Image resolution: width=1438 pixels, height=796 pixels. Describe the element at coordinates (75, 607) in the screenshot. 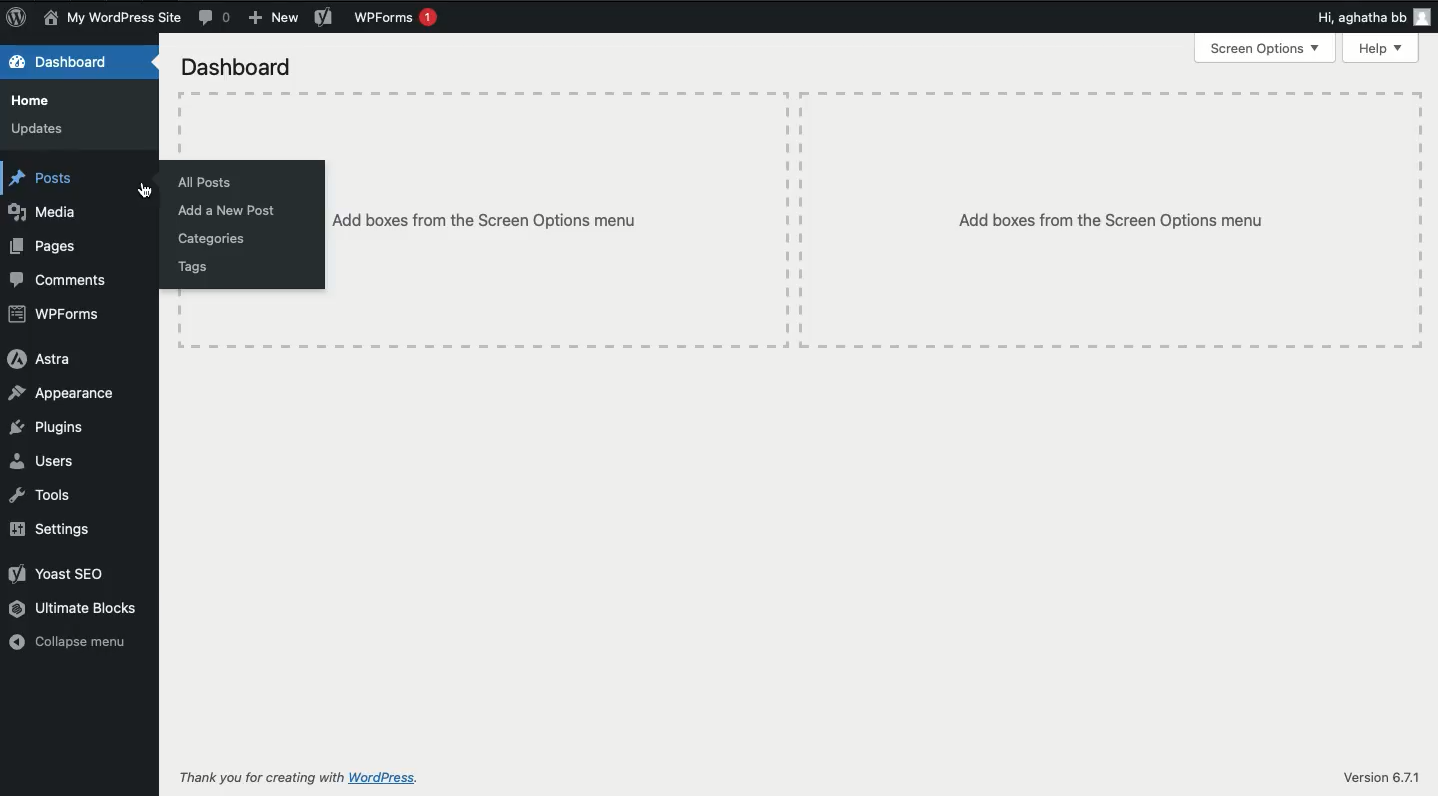

I see `Ultimate blocks` at that location.